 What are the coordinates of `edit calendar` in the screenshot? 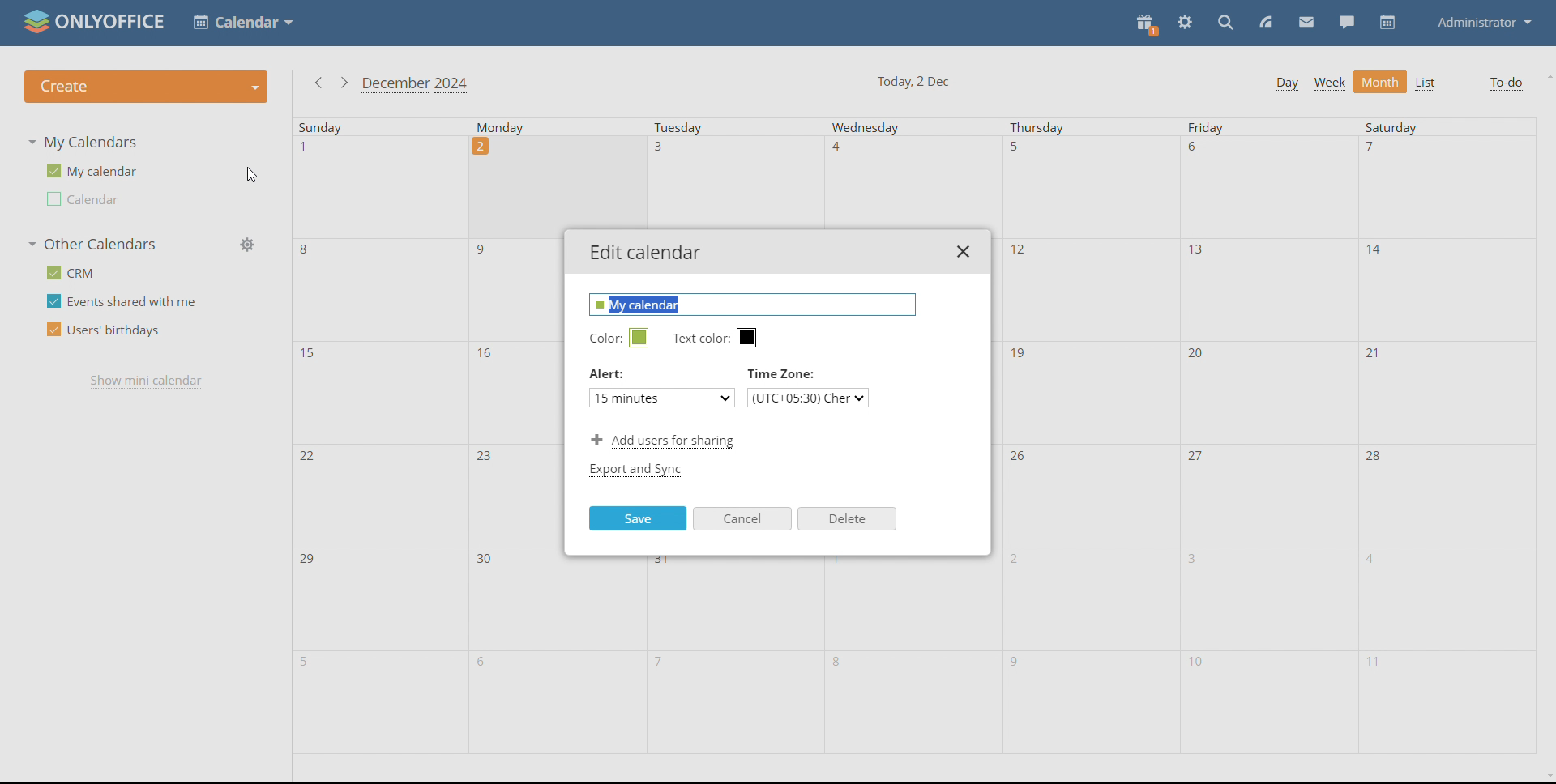 It's located at (646, 253).